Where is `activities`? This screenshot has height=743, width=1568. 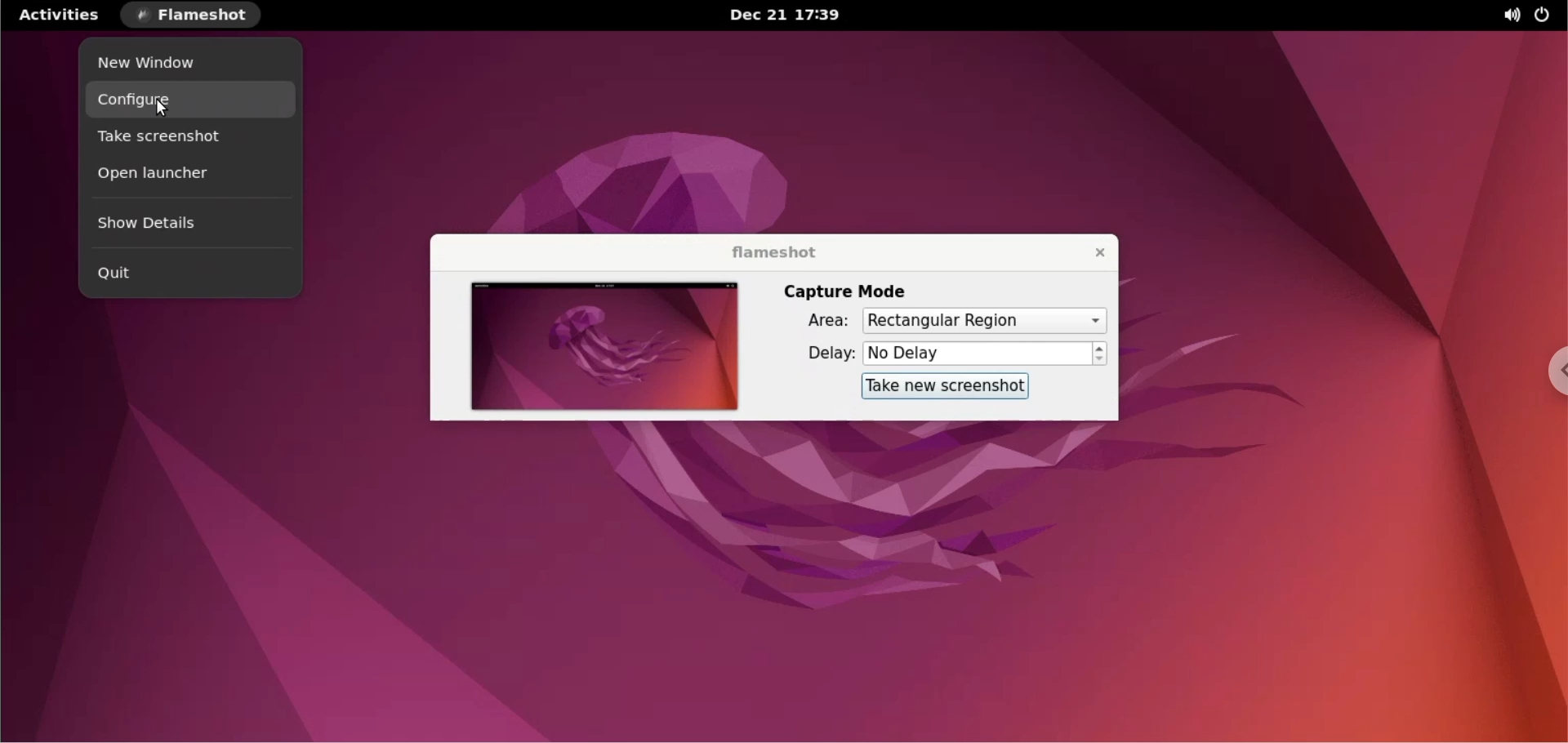
activities is located at coordinates (60, 14).